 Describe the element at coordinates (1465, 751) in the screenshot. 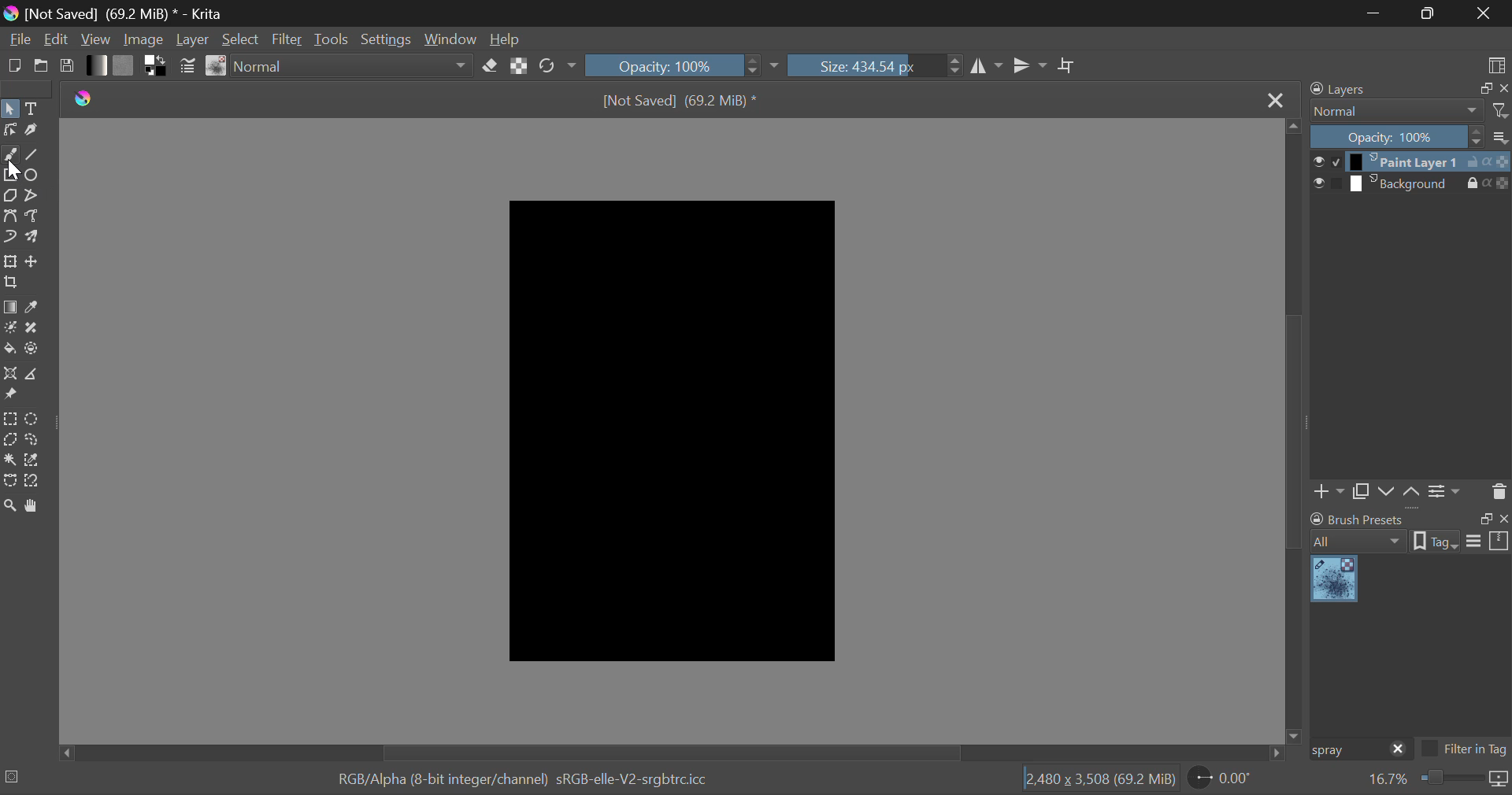

I see `Filter in Tag` at that location.